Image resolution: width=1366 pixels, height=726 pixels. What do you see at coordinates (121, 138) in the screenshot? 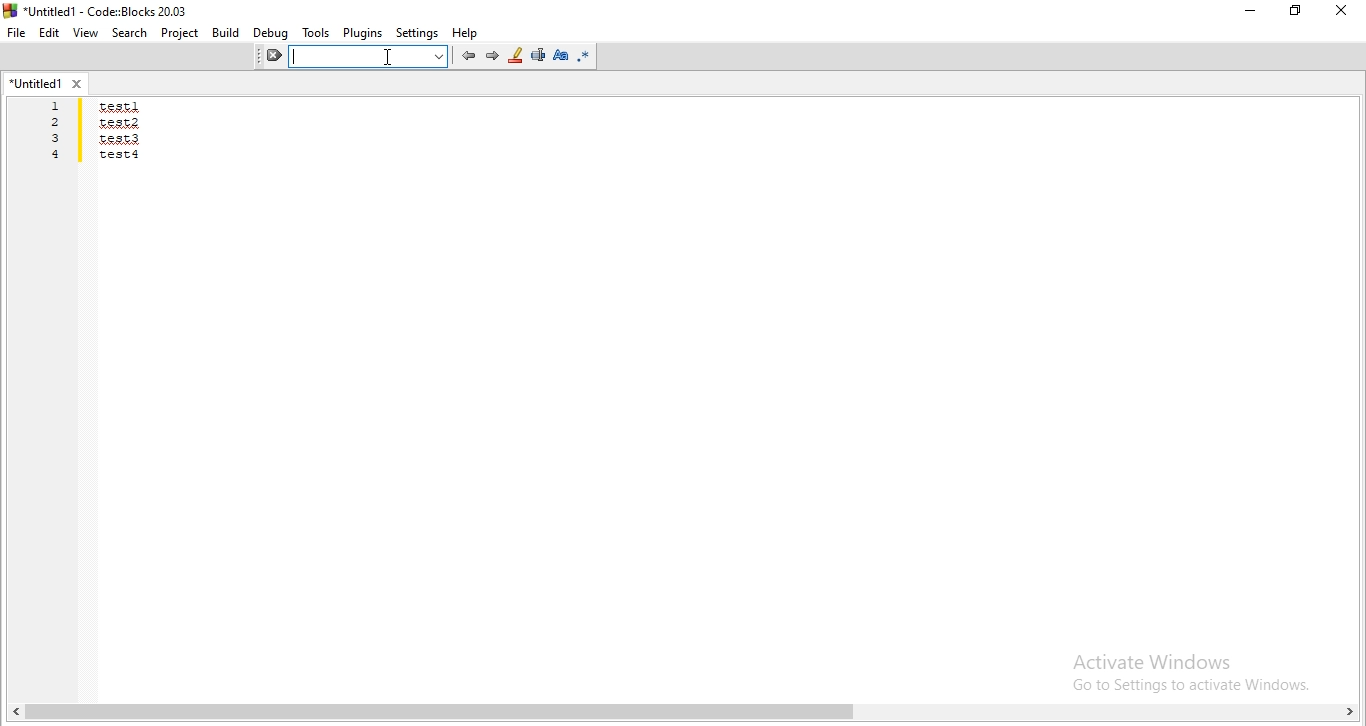
I see `test3` at bounding box center [121, 138].